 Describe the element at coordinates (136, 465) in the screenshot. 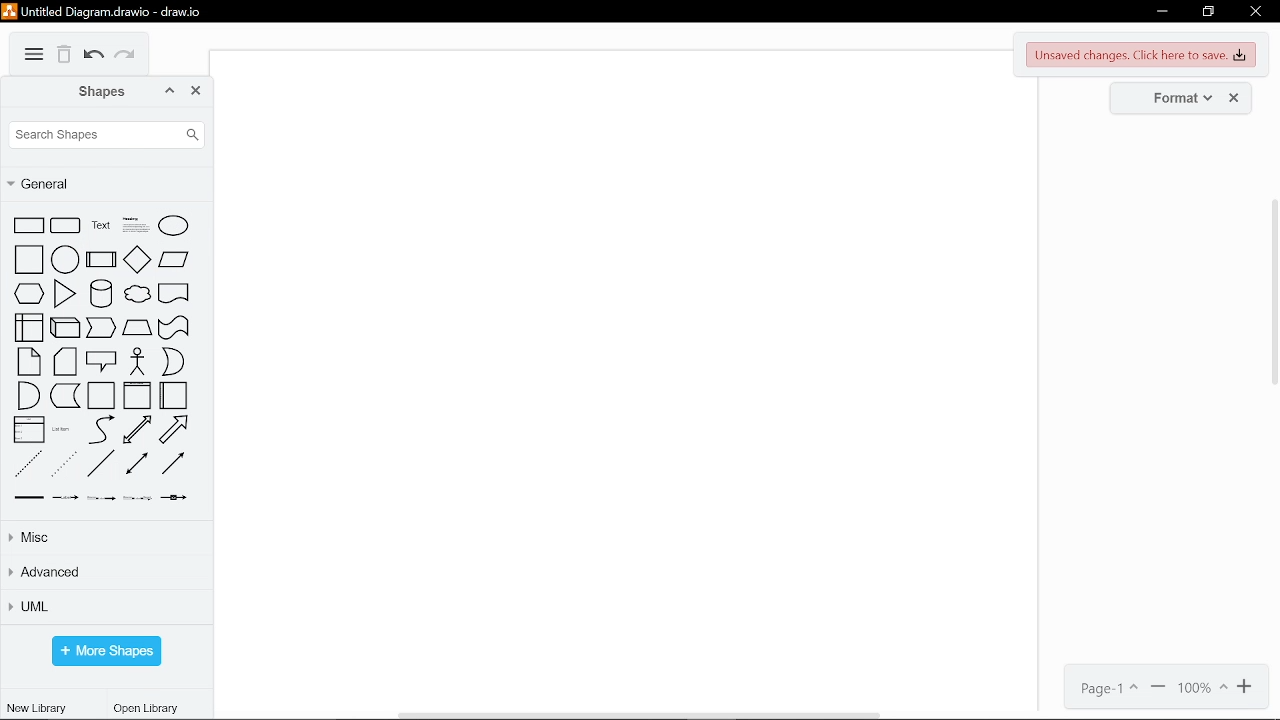

I see `bidirectional connector` at that location.